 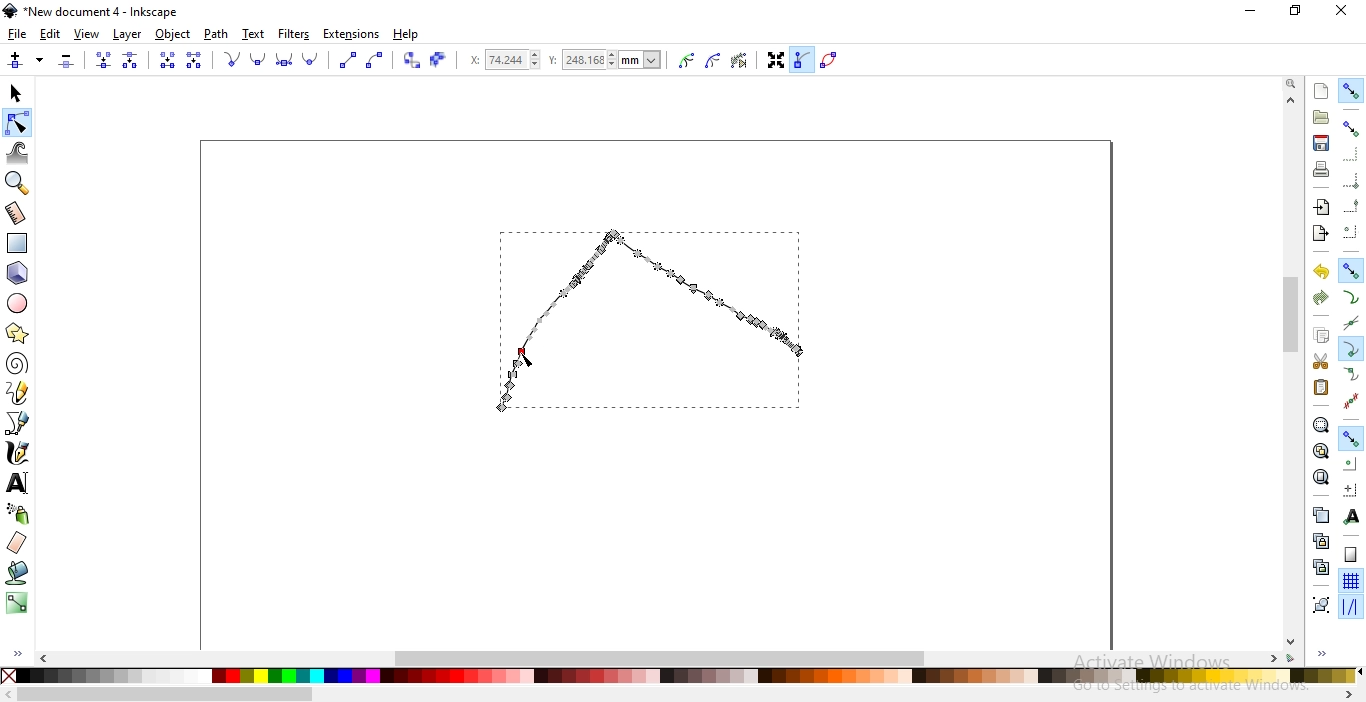 I want to click on show path outline(without path effects), so click(x=832, y=59).